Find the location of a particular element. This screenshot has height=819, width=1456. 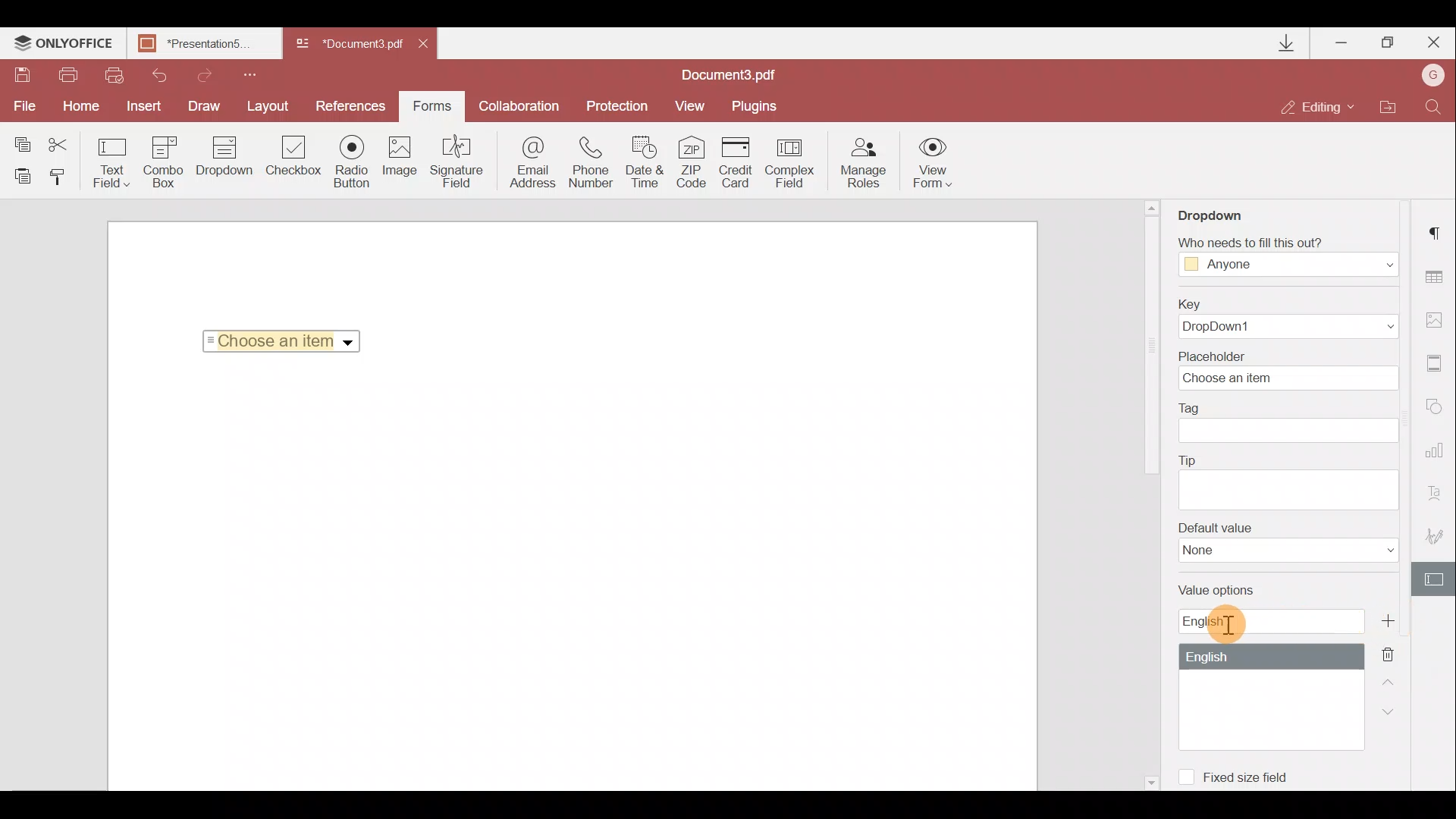

Complex field is located at coordinates (792, 162).